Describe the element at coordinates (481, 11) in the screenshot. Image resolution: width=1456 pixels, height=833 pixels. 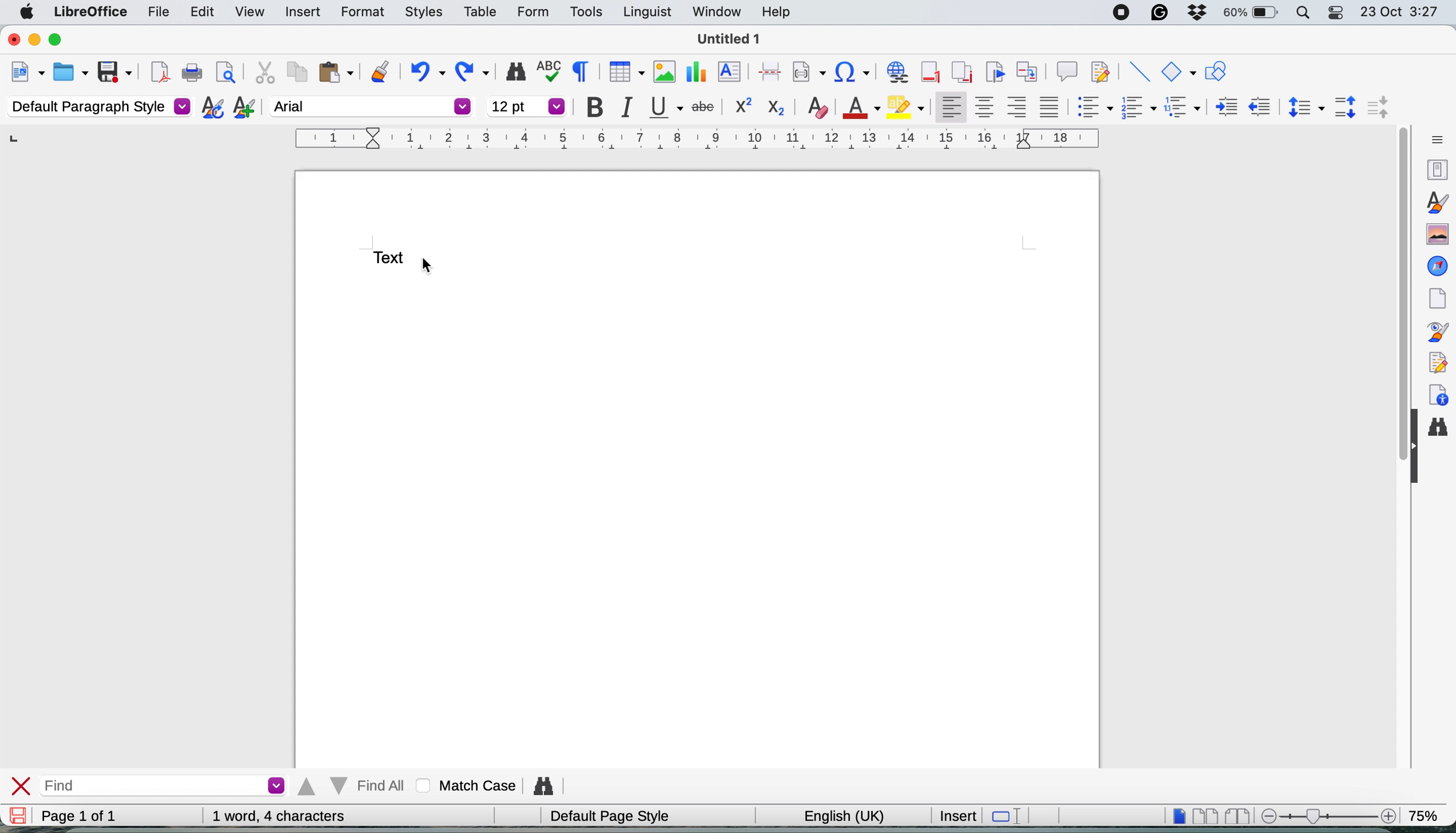
I see `table` at that location.